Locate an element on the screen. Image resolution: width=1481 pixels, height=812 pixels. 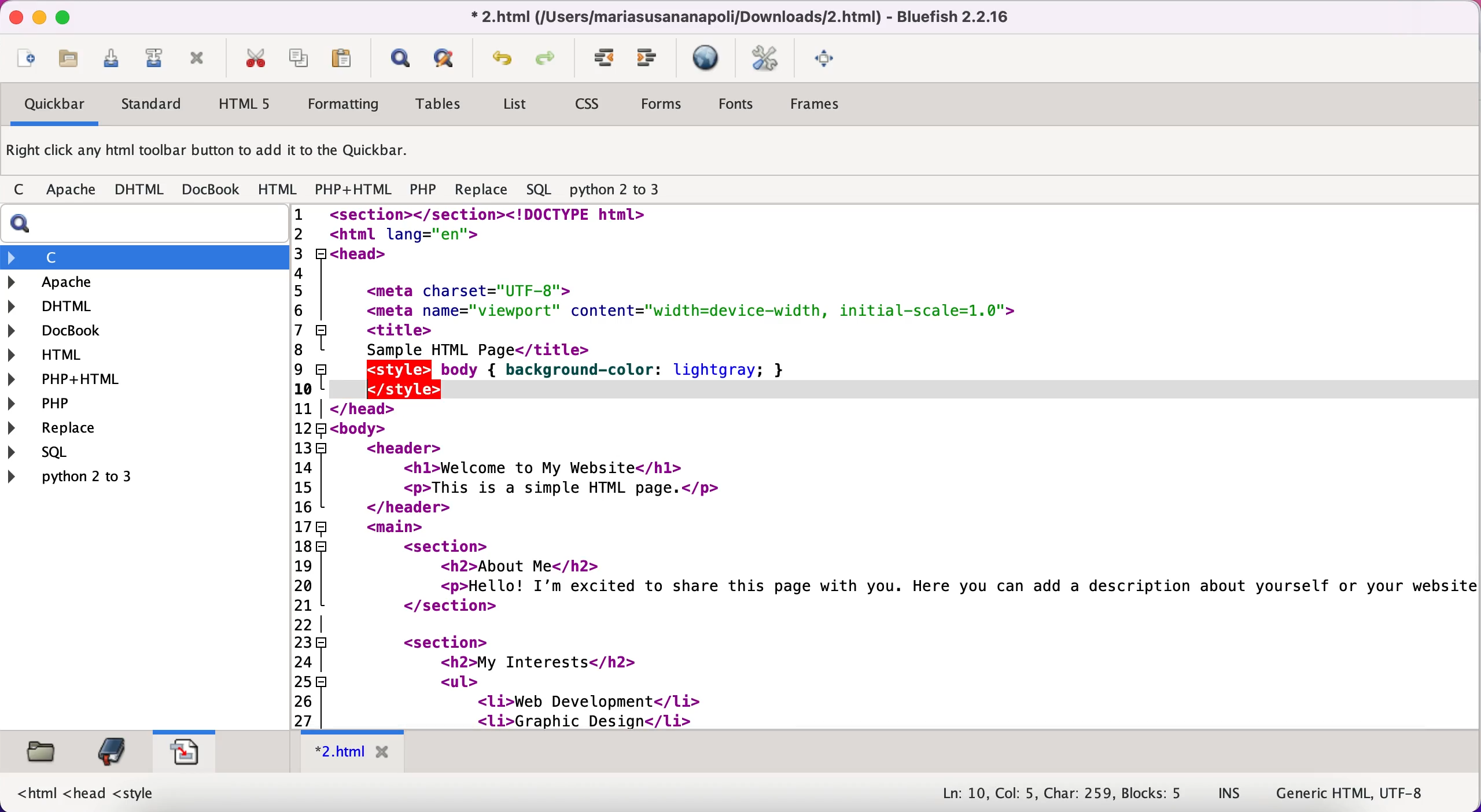
close is located at coordinates (13, 17).